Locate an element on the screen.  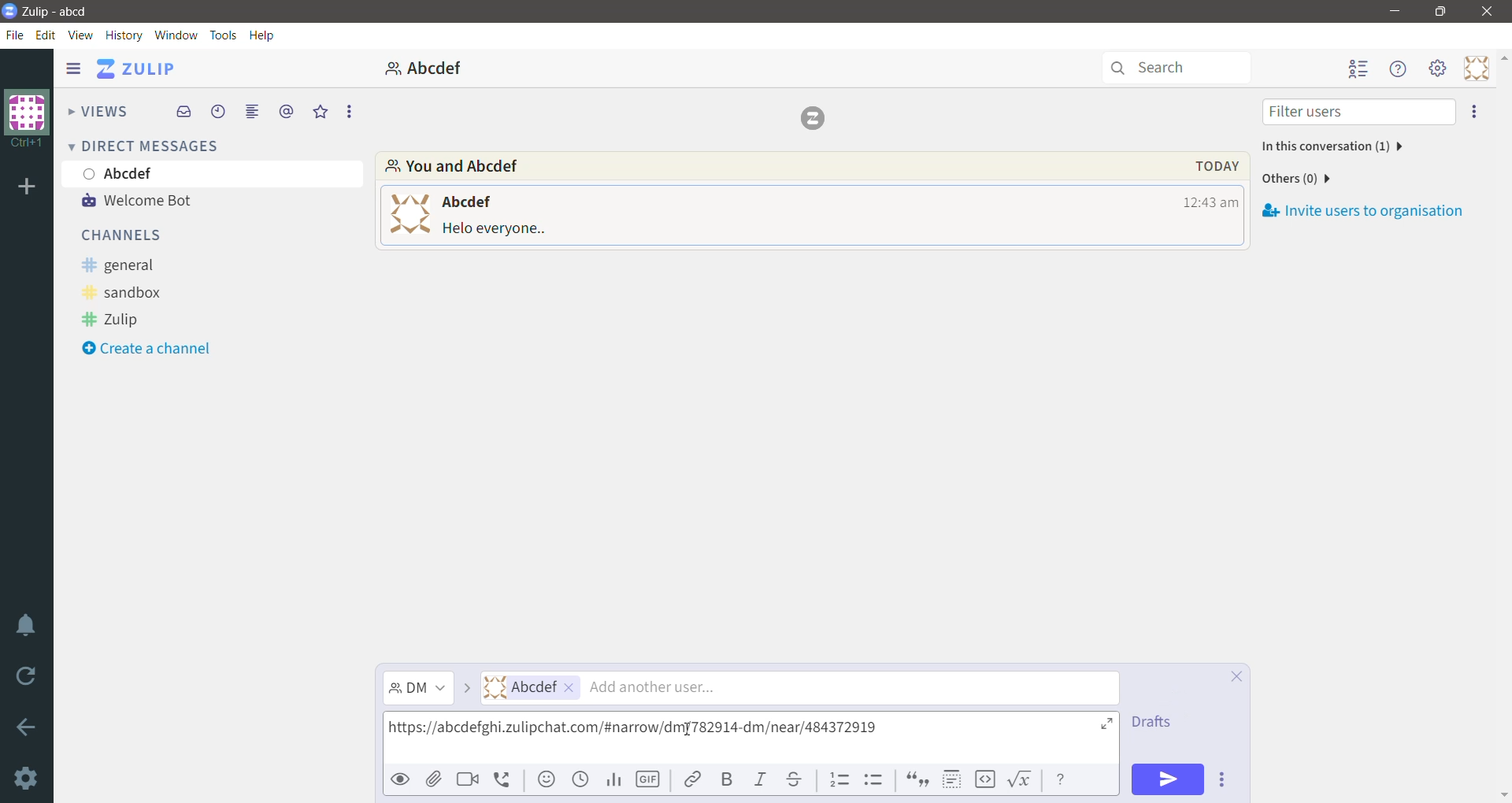
Strikethrough is located at coordinates (795, 779).